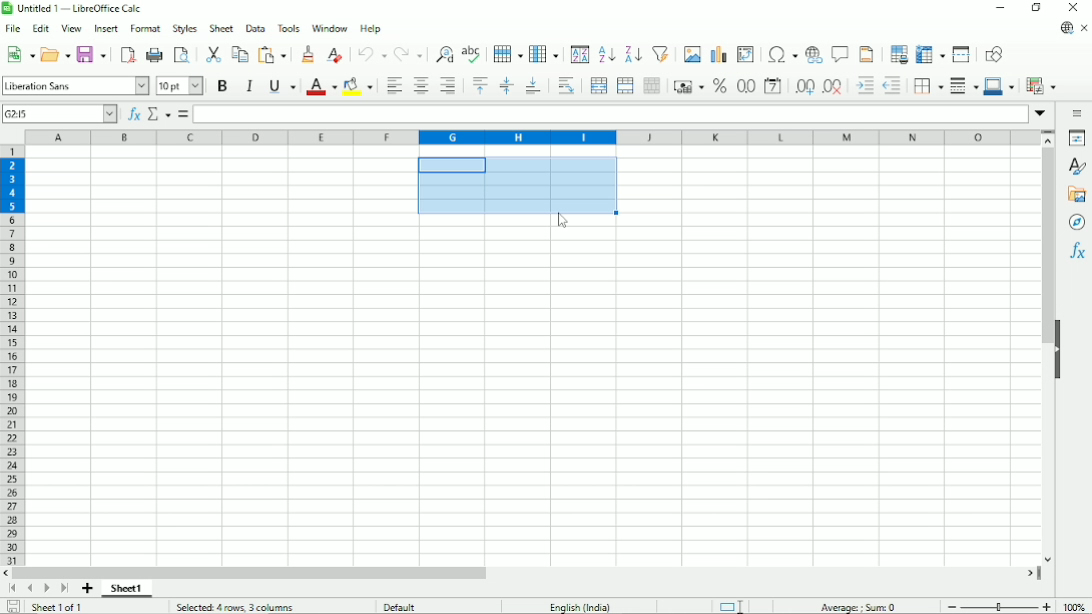  Describe the element at coordinates (64, 589) in the screenshot. I see `Scroll to last sheet` at that location.